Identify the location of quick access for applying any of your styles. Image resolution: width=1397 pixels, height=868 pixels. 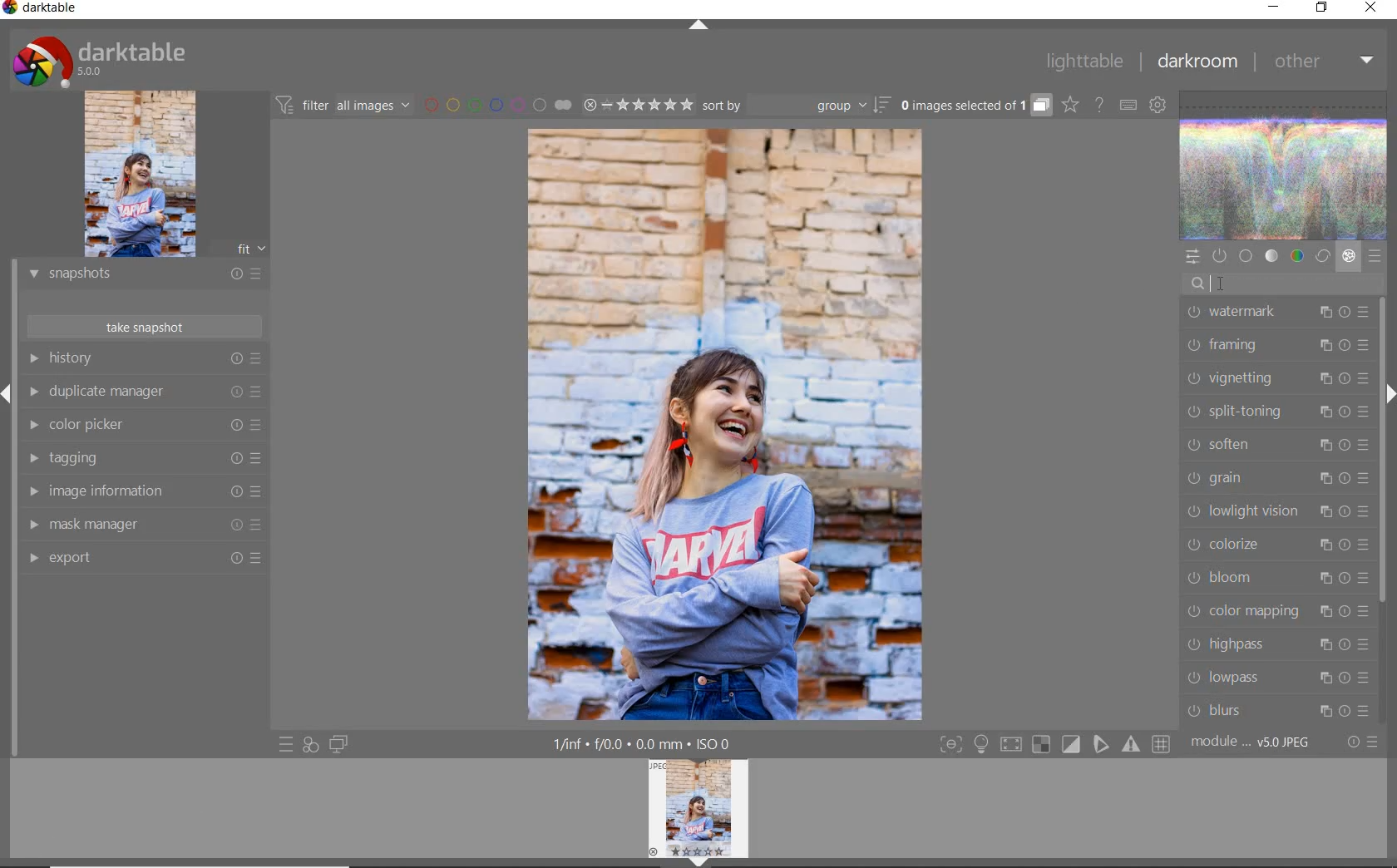
(311, 744).